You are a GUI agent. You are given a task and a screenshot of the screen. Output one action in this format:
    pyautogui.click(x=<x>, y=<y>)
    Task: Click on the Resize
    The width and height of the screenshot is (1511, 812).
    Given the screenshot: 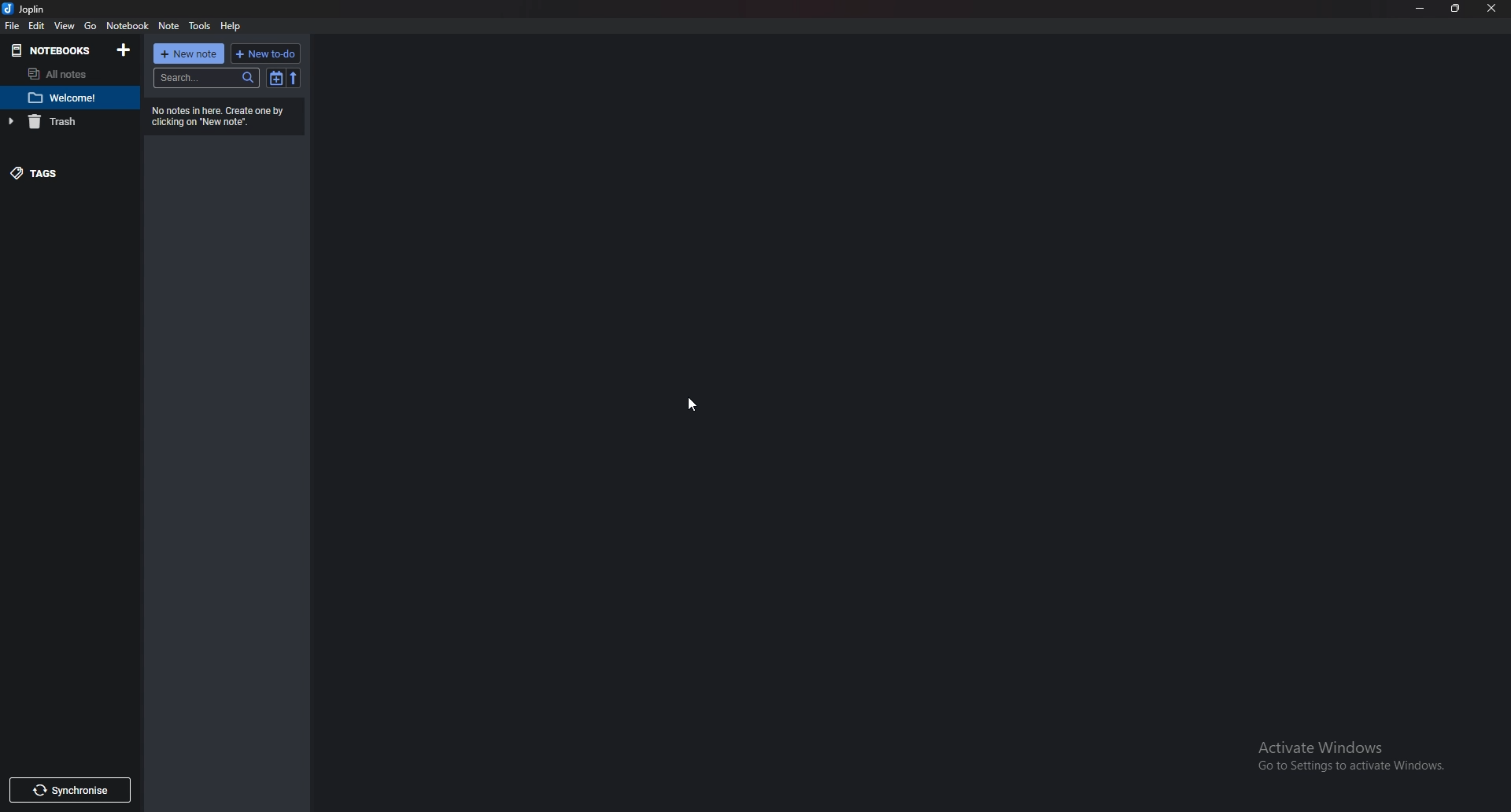 What is the action you would take?
    pyautogui.click(x=1457, y=9)
    